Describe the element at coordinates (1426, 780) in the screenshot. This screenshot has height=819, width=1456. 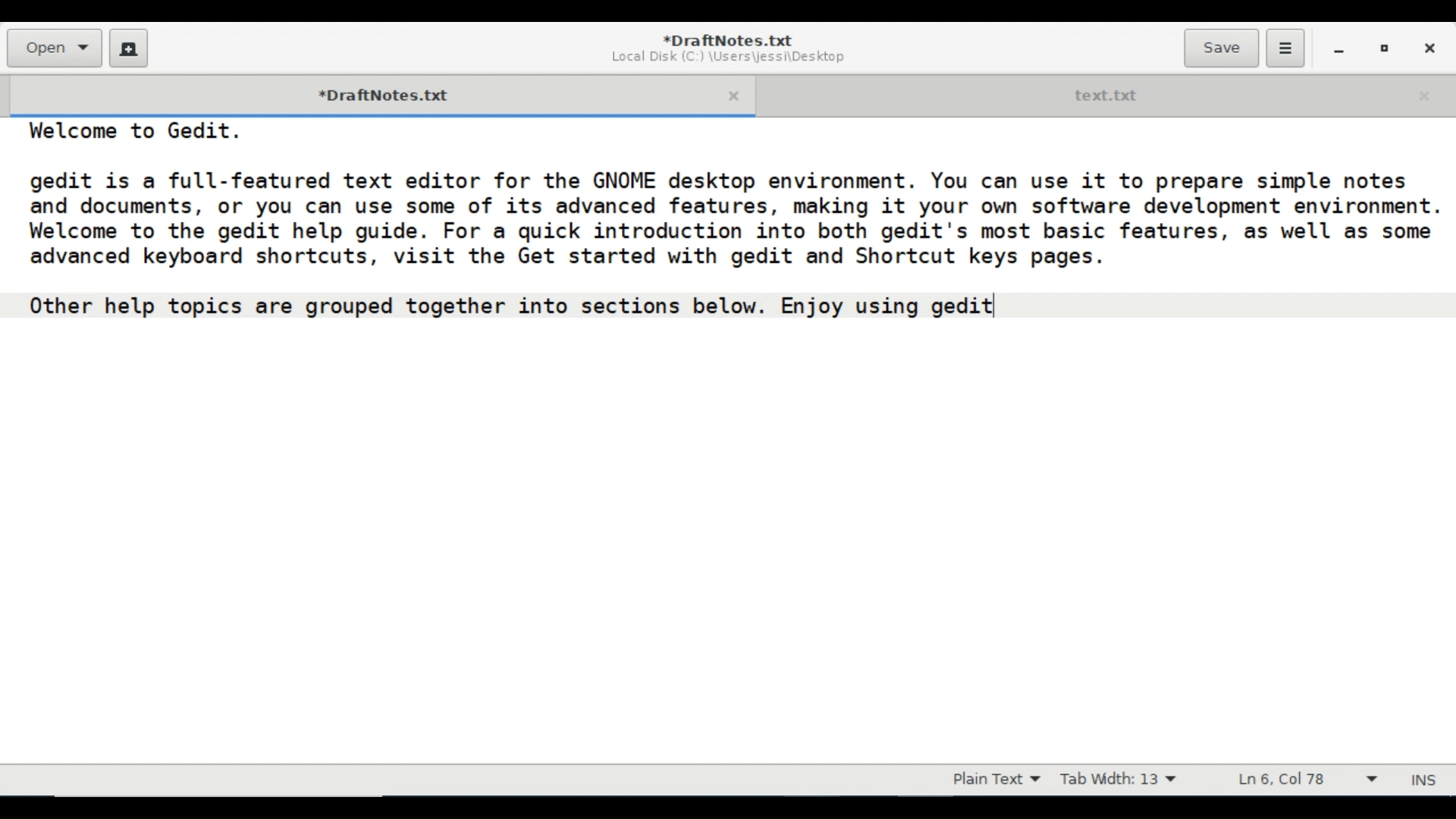
I see `Insert Mode` at that location.